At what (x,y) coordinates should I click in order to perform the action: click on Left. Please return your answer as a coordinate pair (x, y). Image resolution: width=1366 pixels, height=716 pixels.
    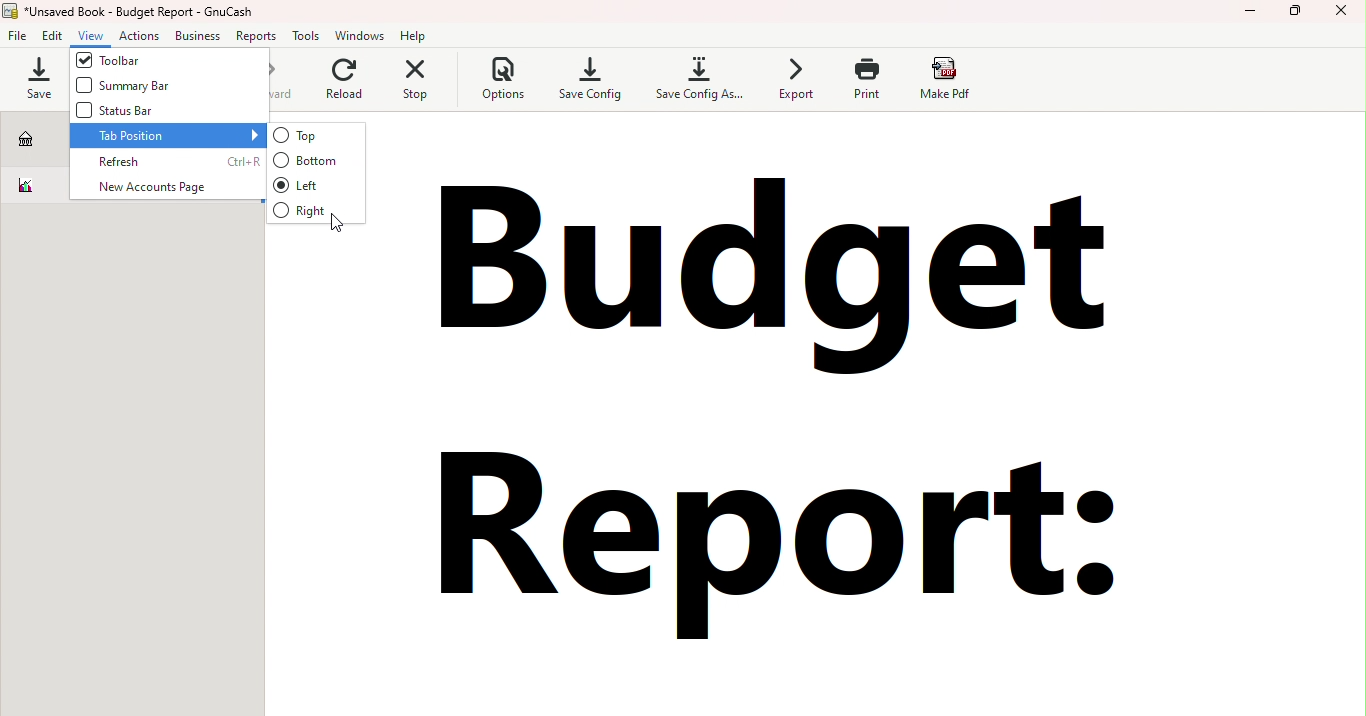
    Looking at the image, I should click on (318, 186).